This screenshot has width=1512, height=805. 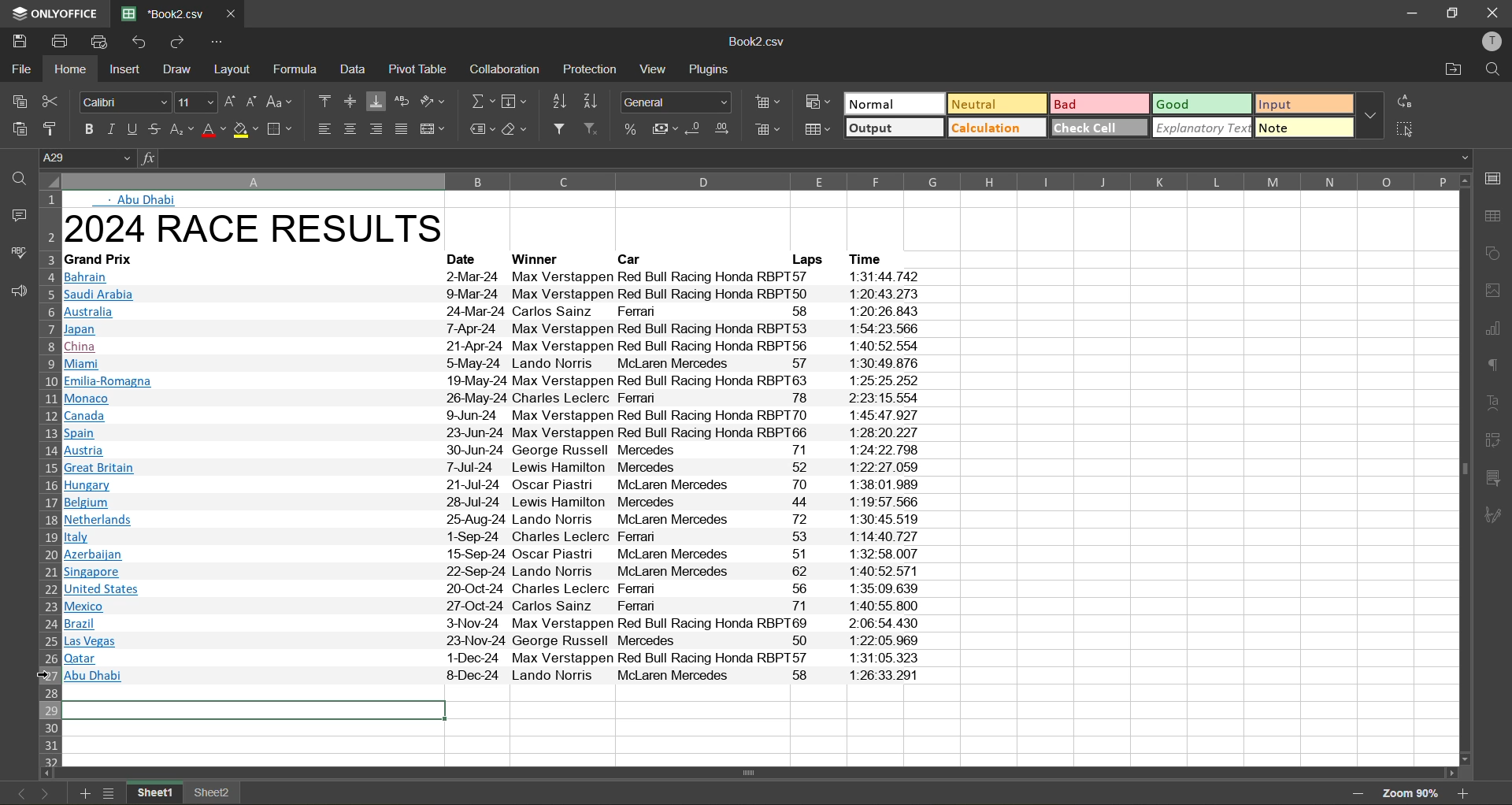 What do you see at coordinates (102, 42) in the screenshot?
I see `print preview` at bounding box center [102, 42].